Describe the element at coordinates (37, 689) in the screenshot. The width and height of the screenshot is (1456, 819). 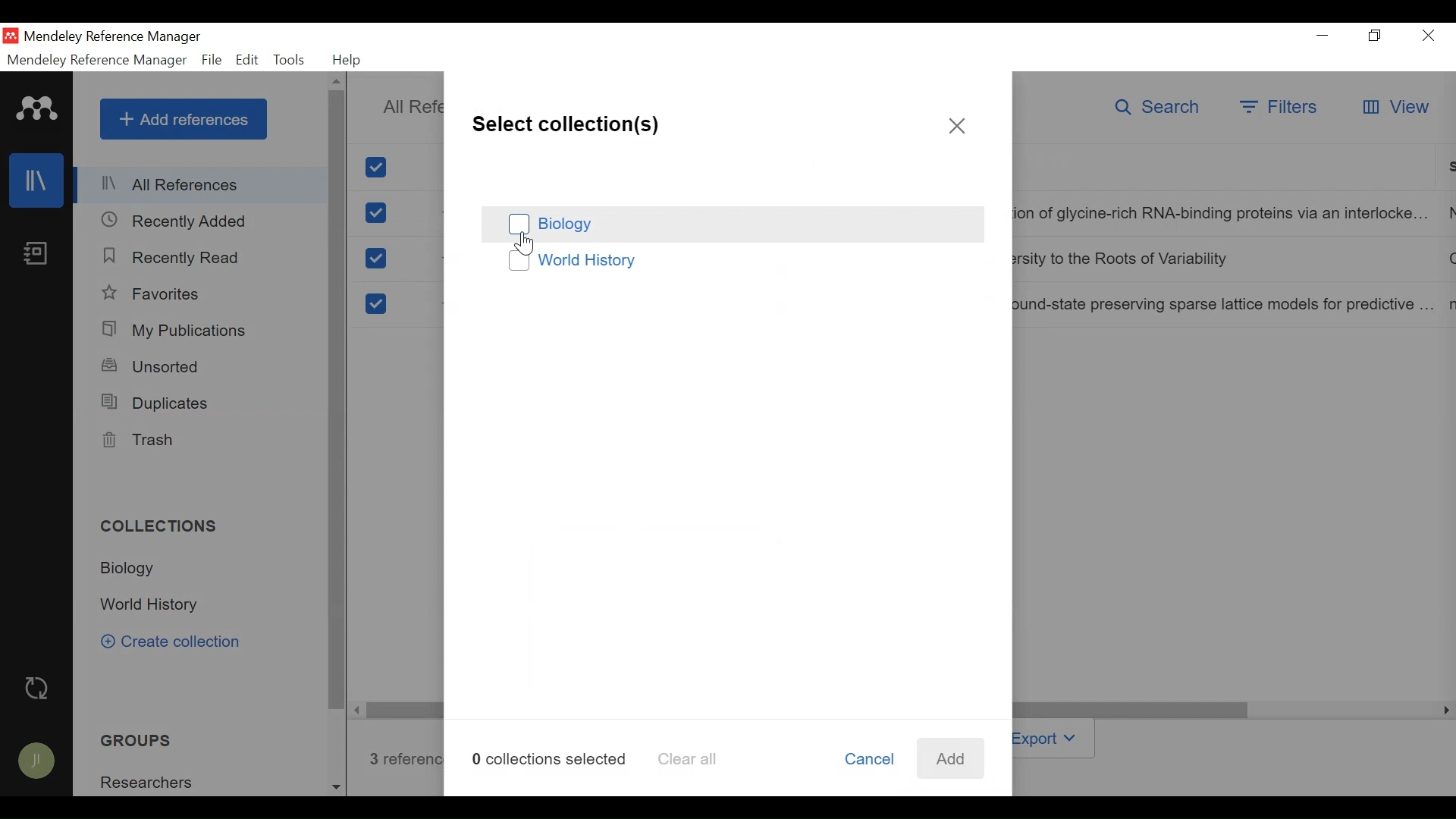
I see `Sync` at that location.